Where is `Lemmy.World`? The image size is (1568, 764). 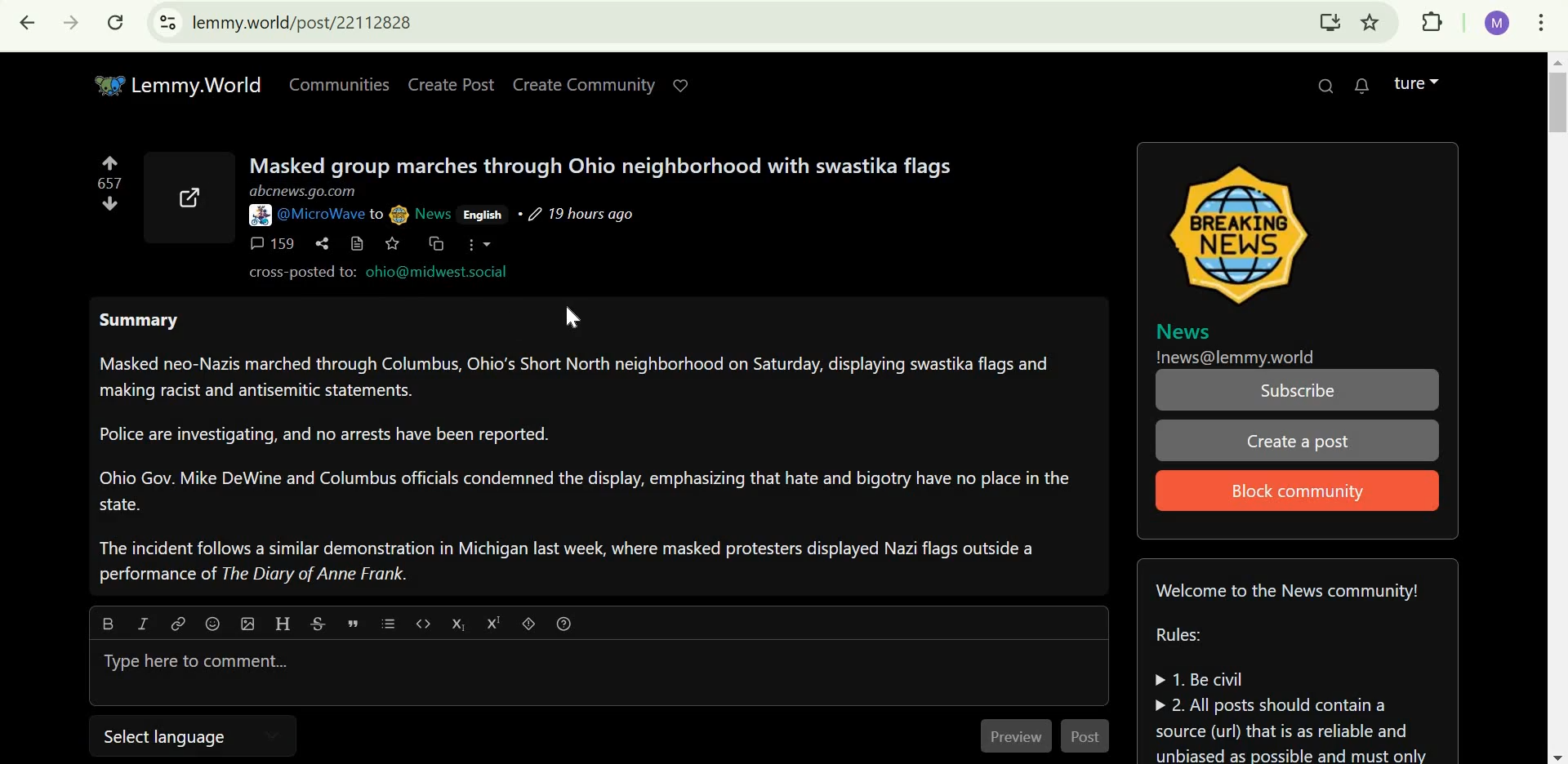
Lemmy.World is located at coordinates (177, 83).